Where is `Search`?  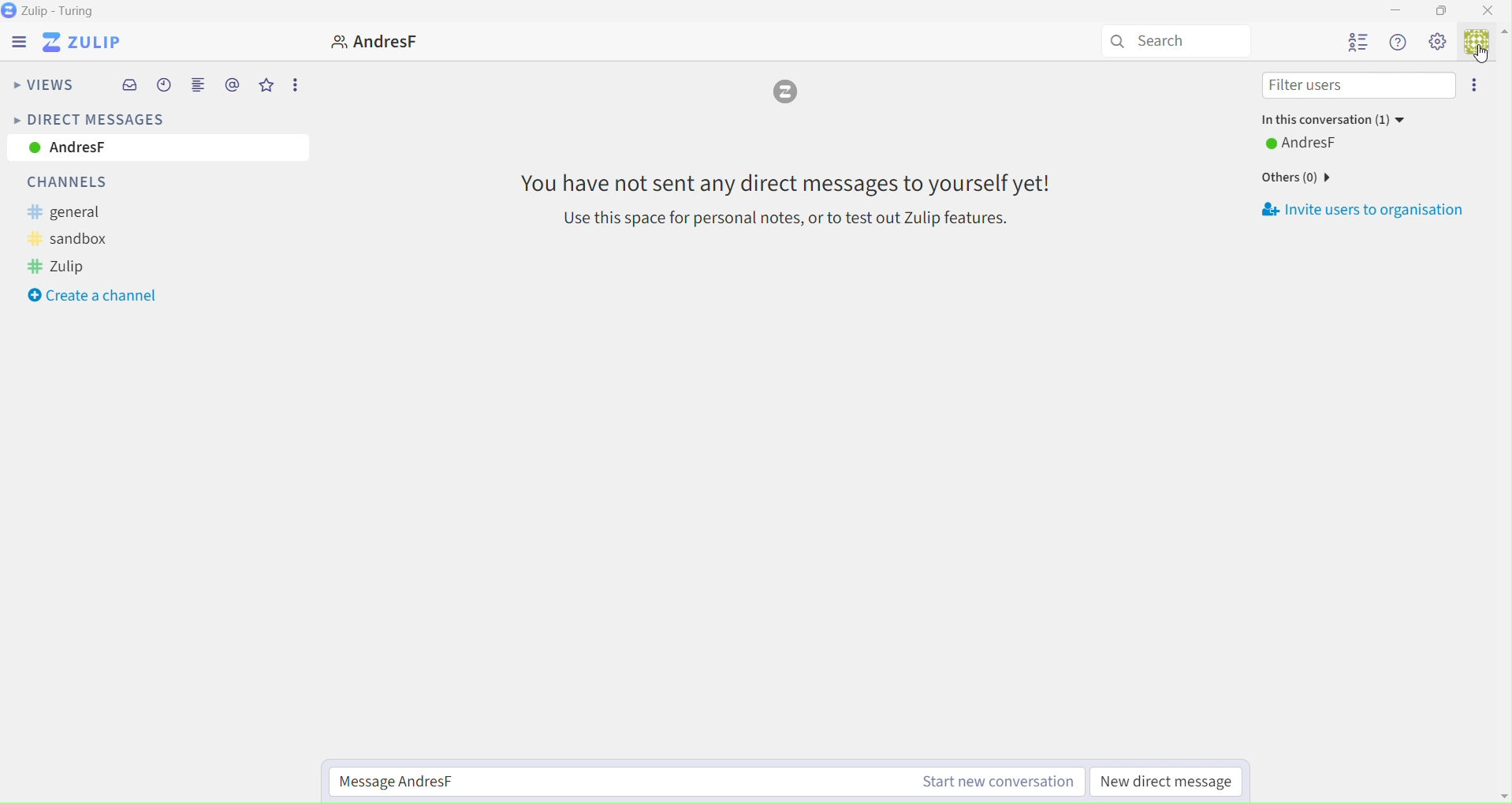
Search is located at coordinates (1171, 40).